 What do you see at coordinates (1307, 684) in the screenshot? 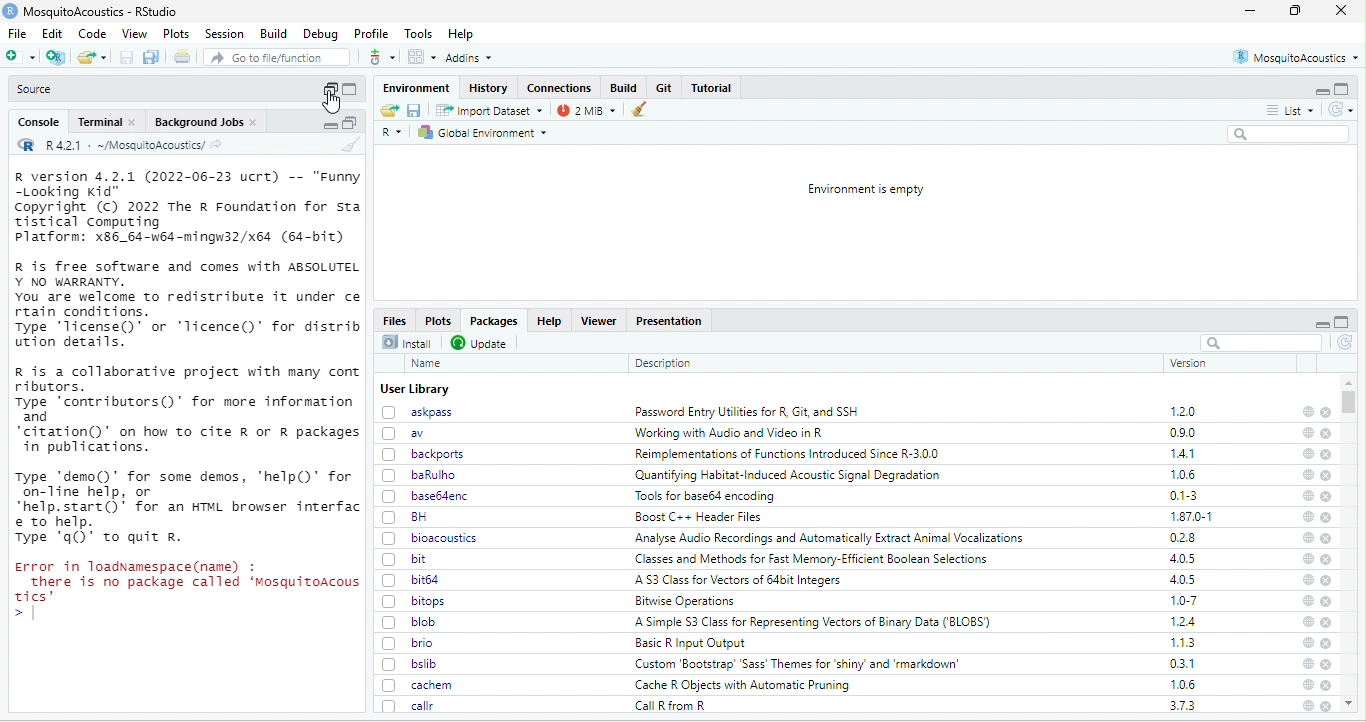
I see `help` at bounding box center [1307, 684].